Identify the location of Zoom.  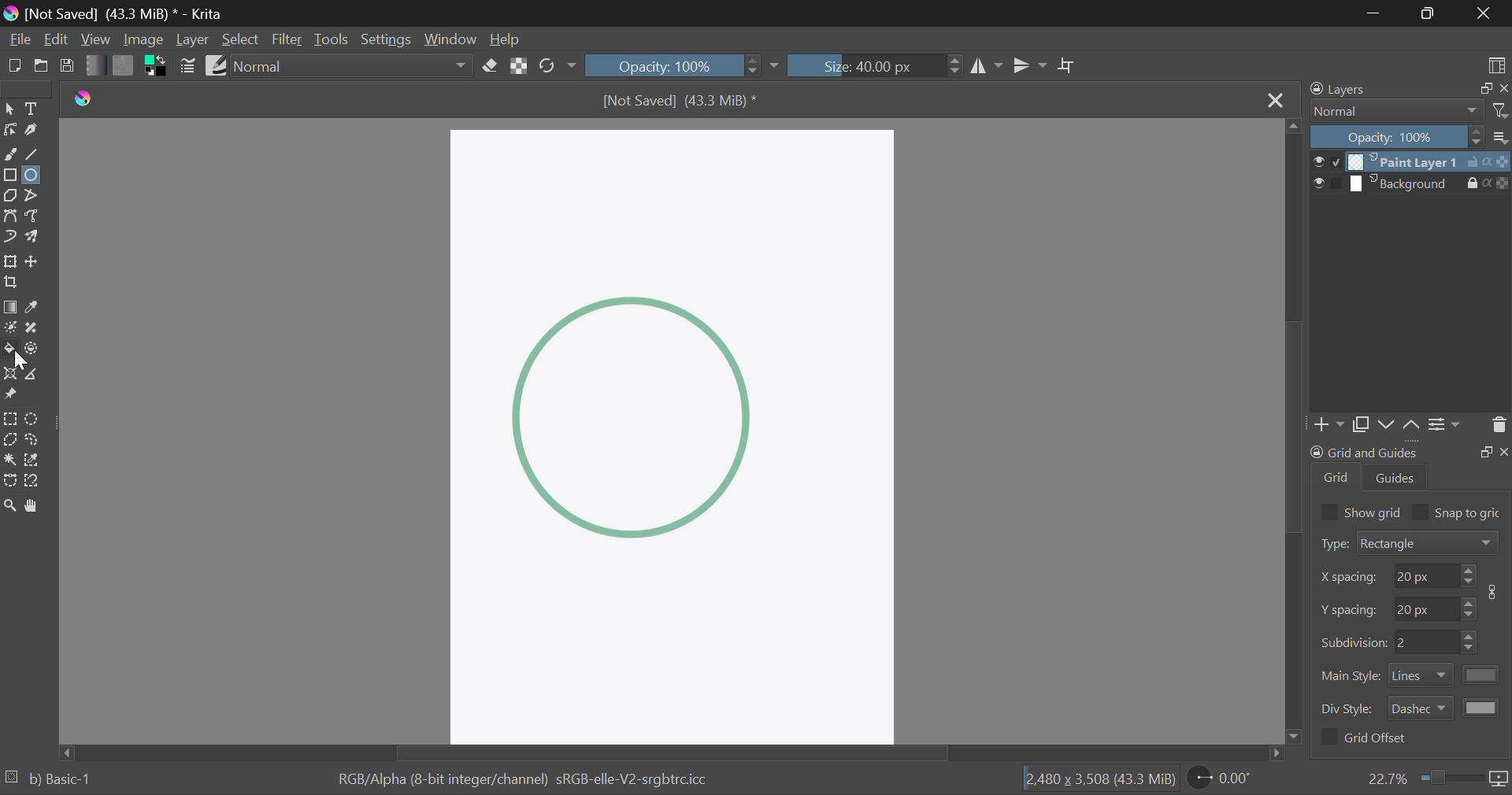
(1437, 778).